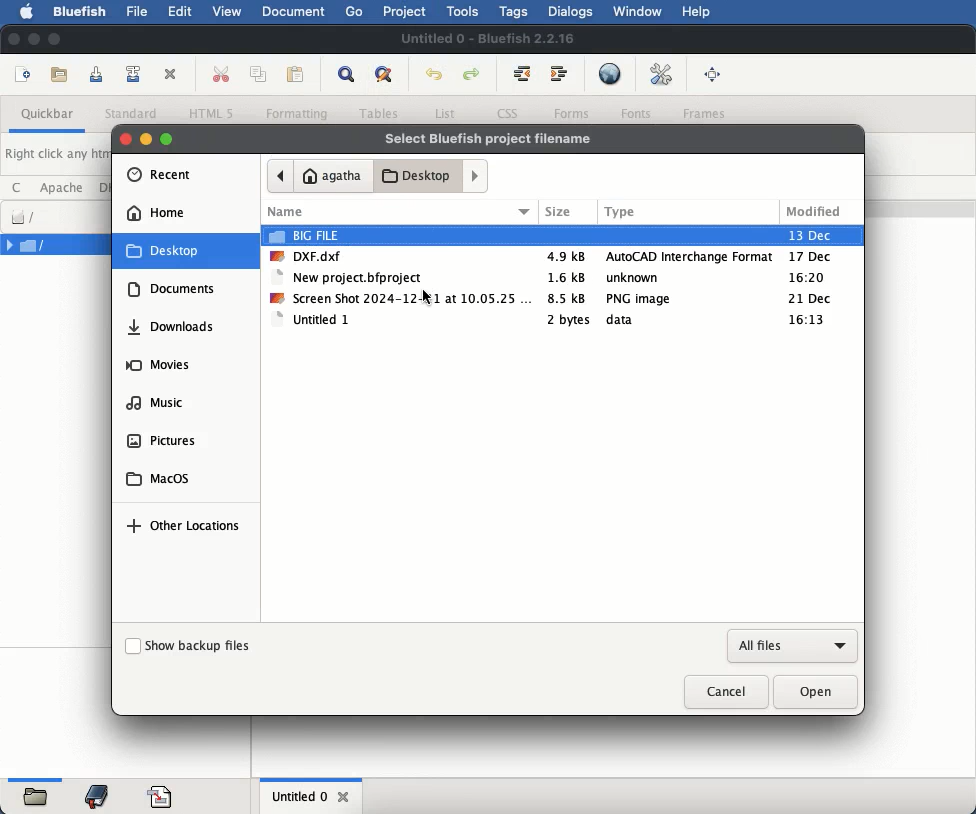  What do you see at coordinates (571, 112) in the screenshot?
I see `forms` at bounding box center [571, 112].